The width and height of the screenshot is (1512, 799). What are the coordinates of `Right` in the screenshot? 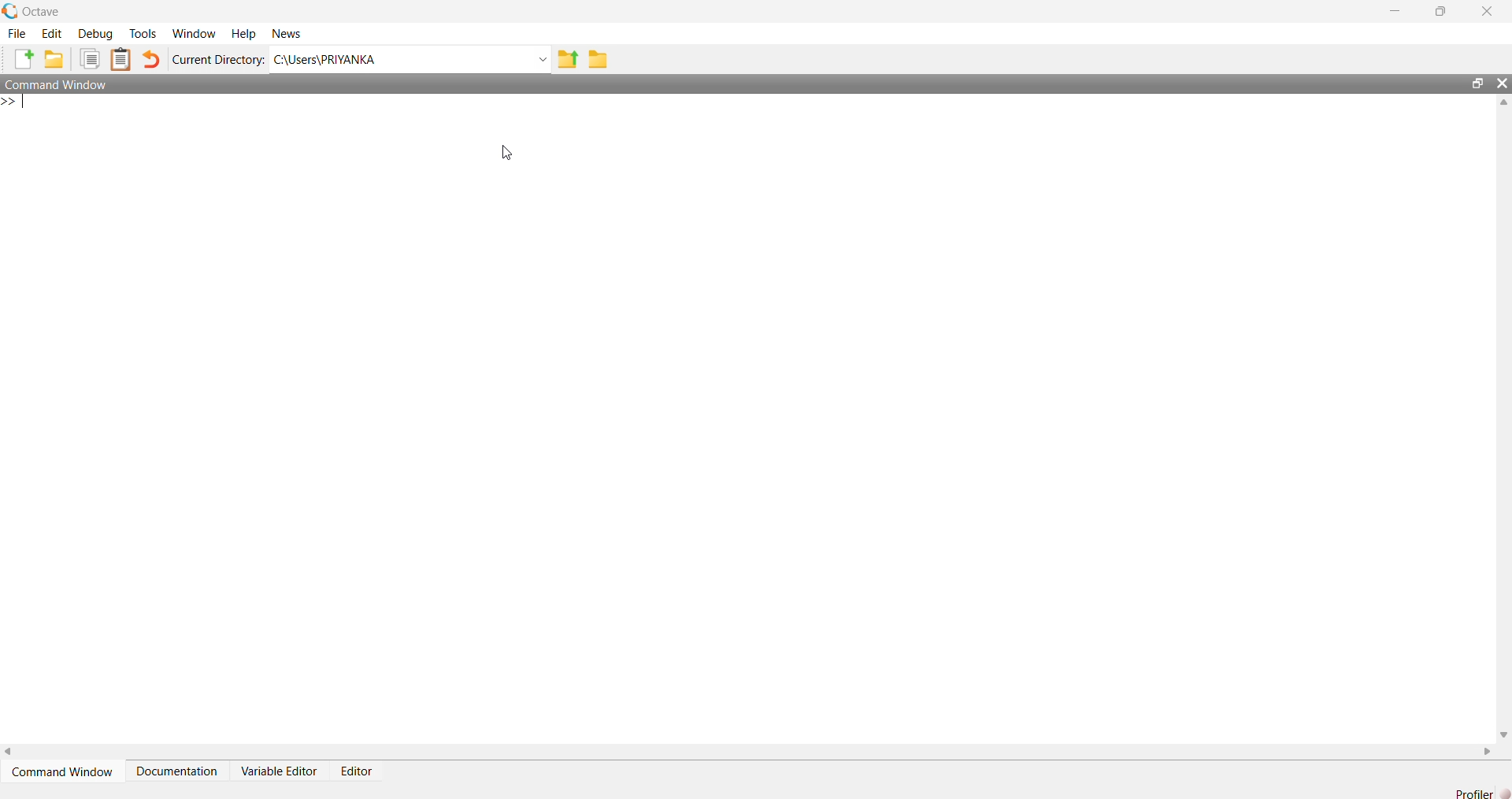 It's located at (1489, 749).